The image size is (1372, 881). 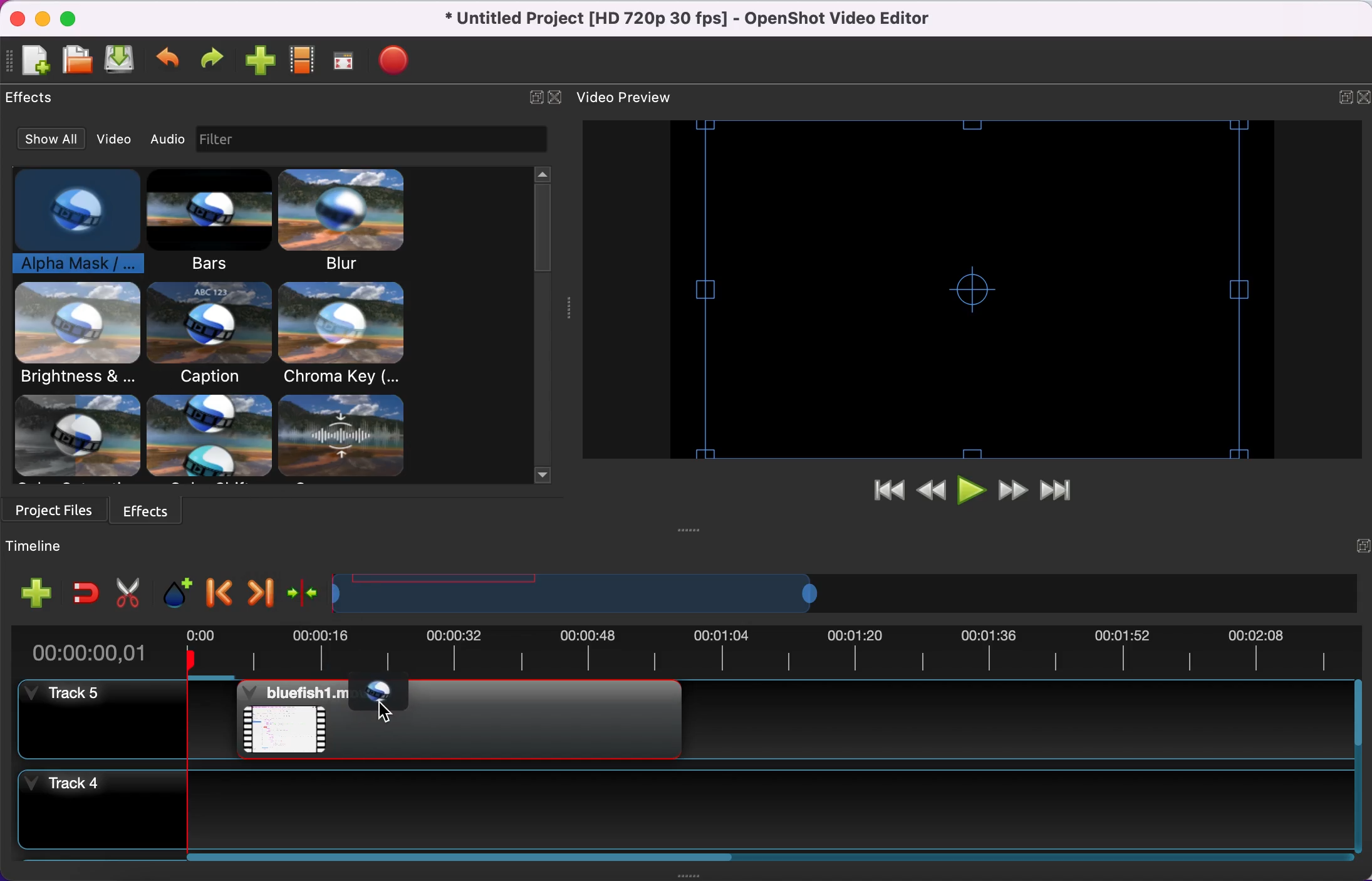 I want to click on close, so click(x=14, y=19).